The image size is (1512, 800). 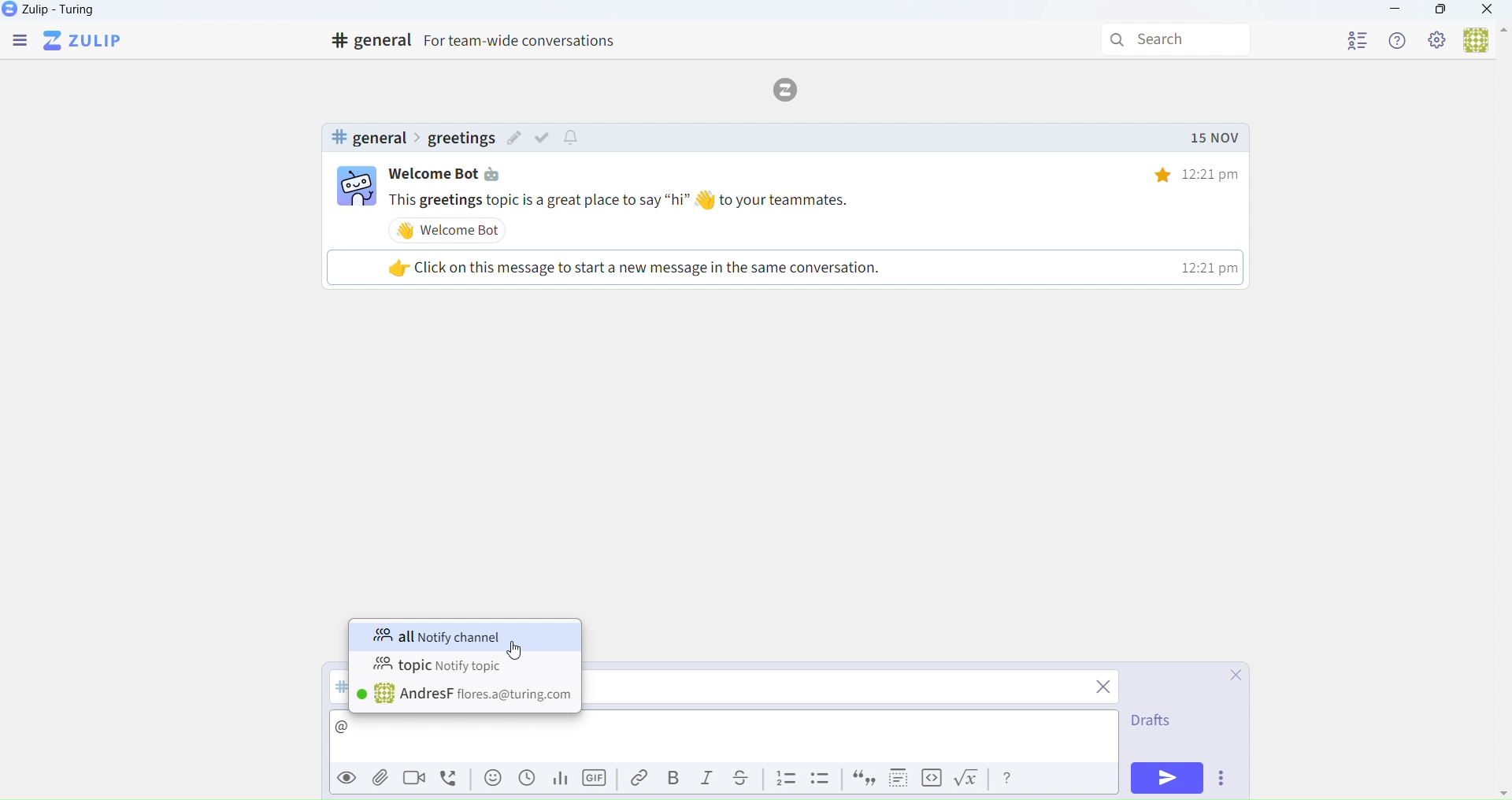 I want to click on general, so click(x=368, y=138).